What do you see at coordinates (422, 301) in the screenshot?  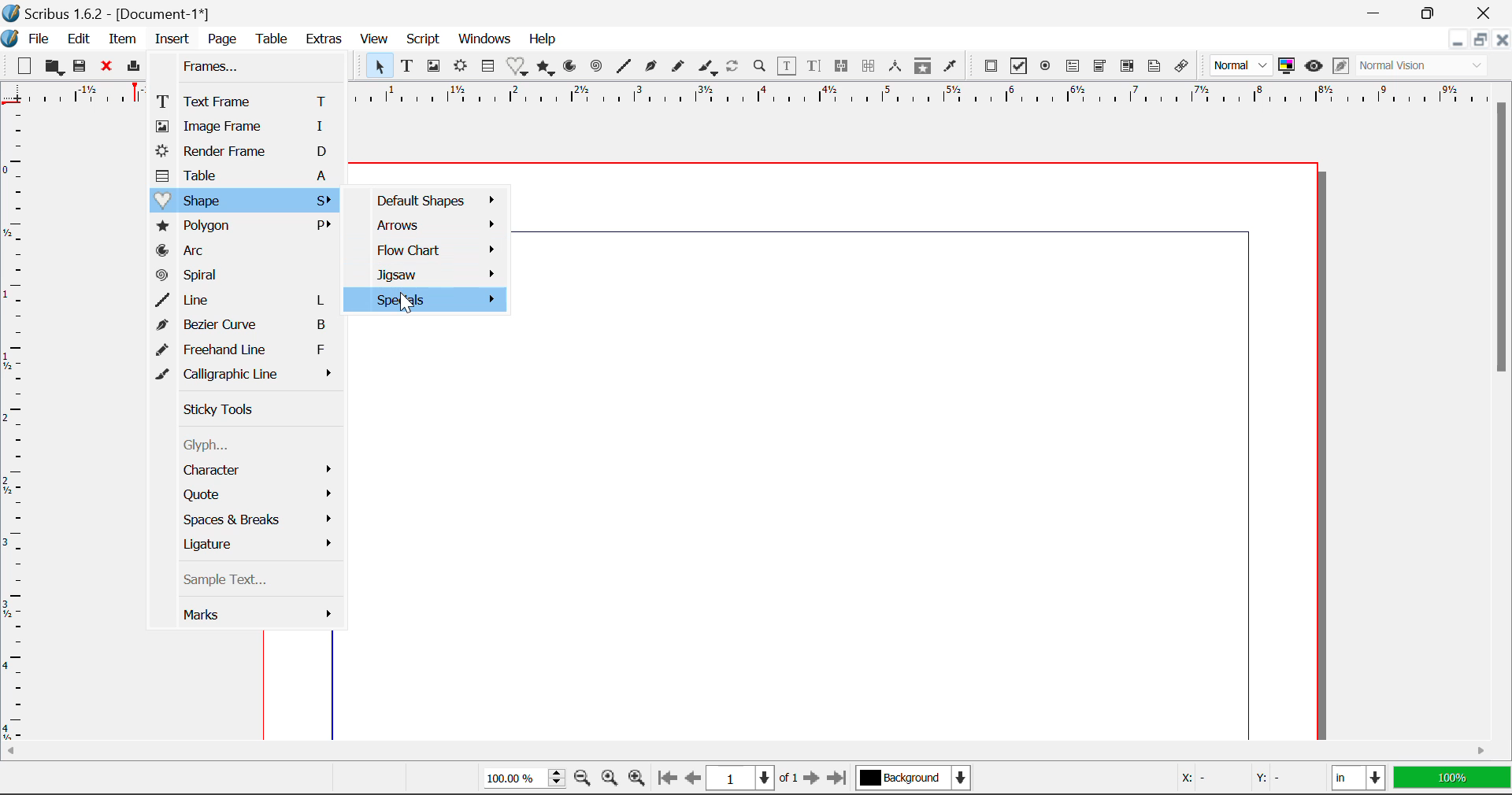 I see `Specials` at bounding box center [422, 301].